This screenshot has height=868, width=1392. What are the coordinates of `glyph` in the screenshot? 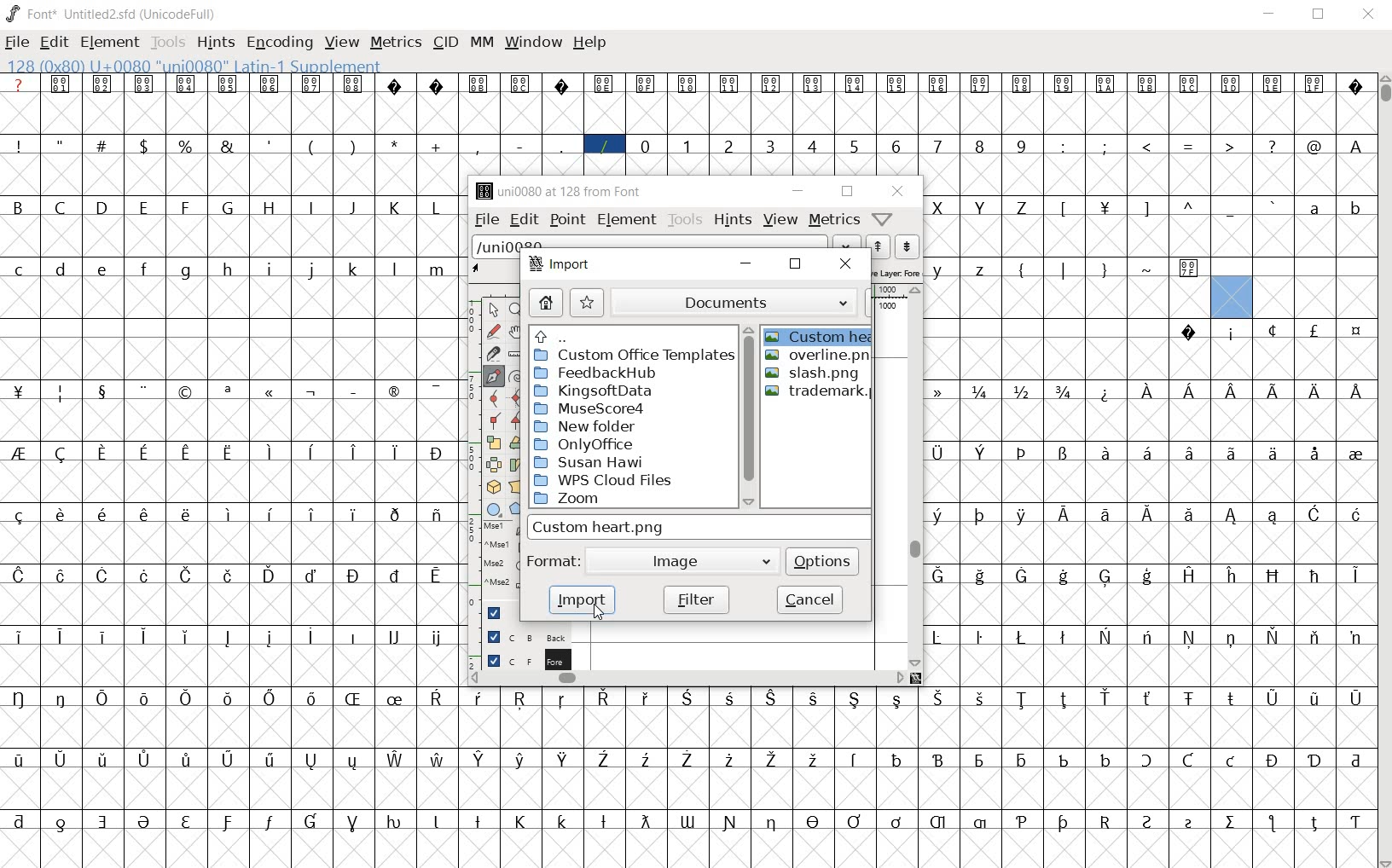 It's located at (102, 453).